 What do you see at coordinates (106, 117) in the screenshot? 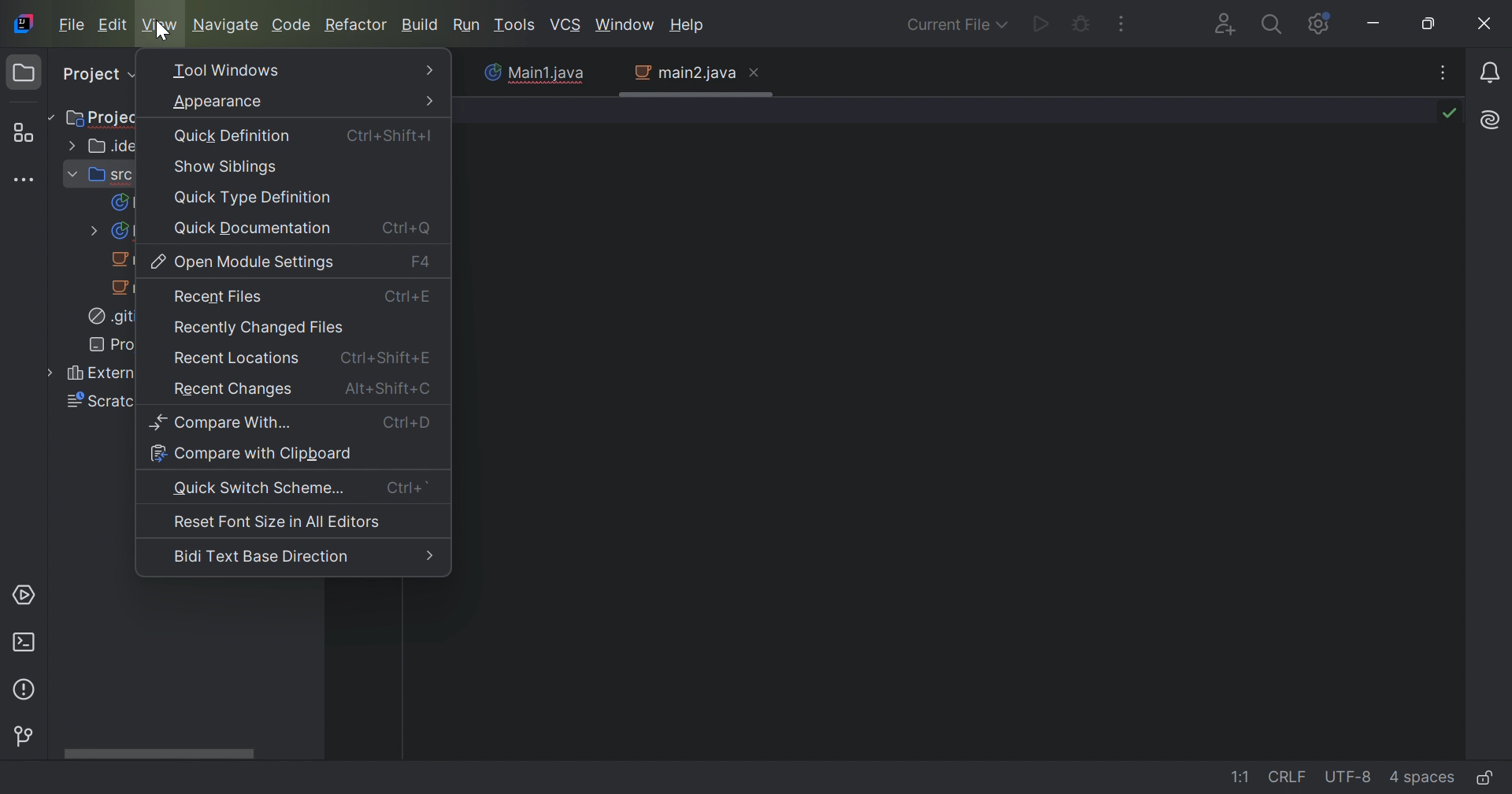
I see `Project` at bounding box center [106, 117].